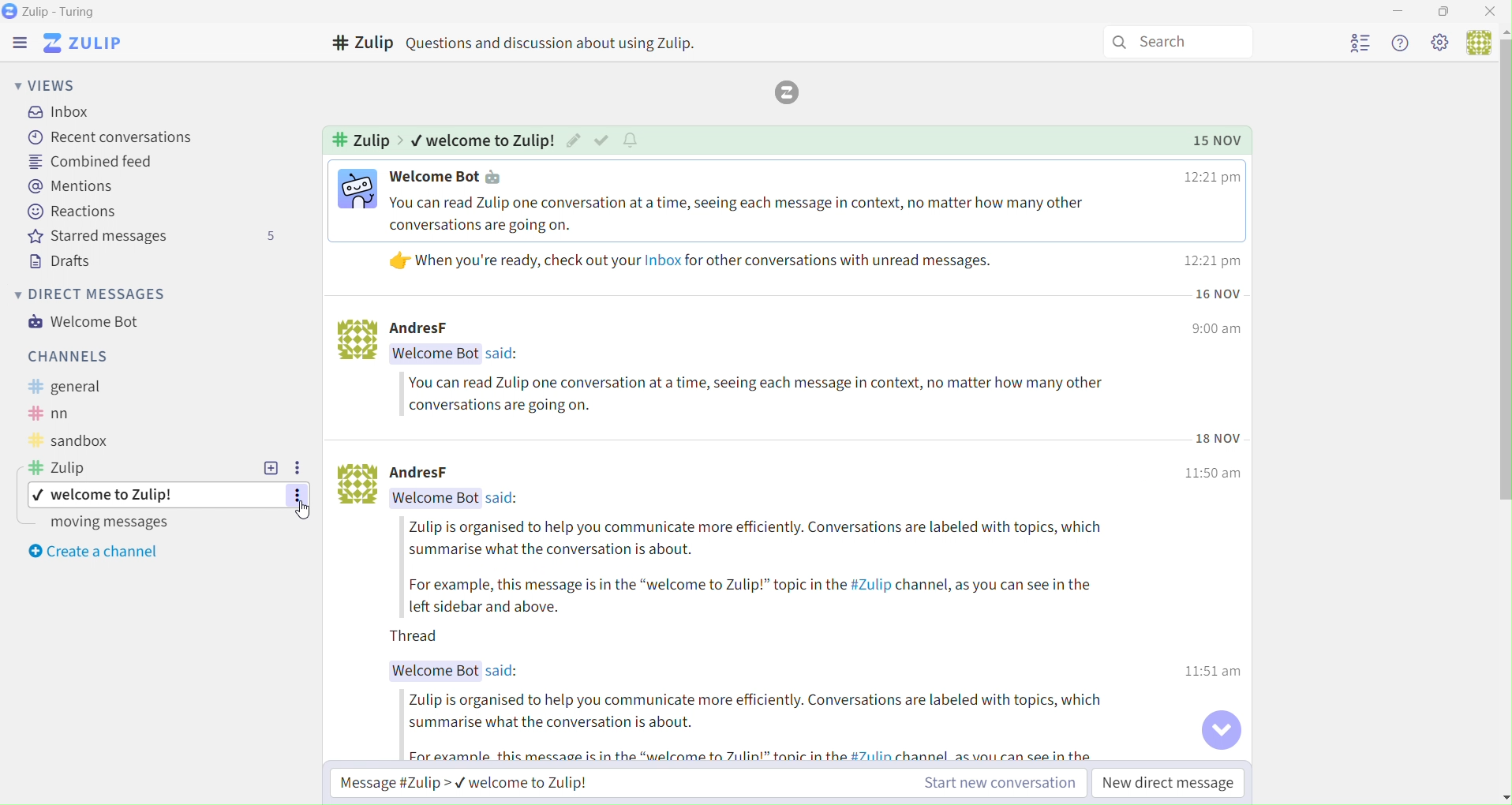 This screenshot has height=805, width=1512. What do you see at coordinates (1360, 44) in the screenshot?
I see `User` at bounding box center [1360, 44].